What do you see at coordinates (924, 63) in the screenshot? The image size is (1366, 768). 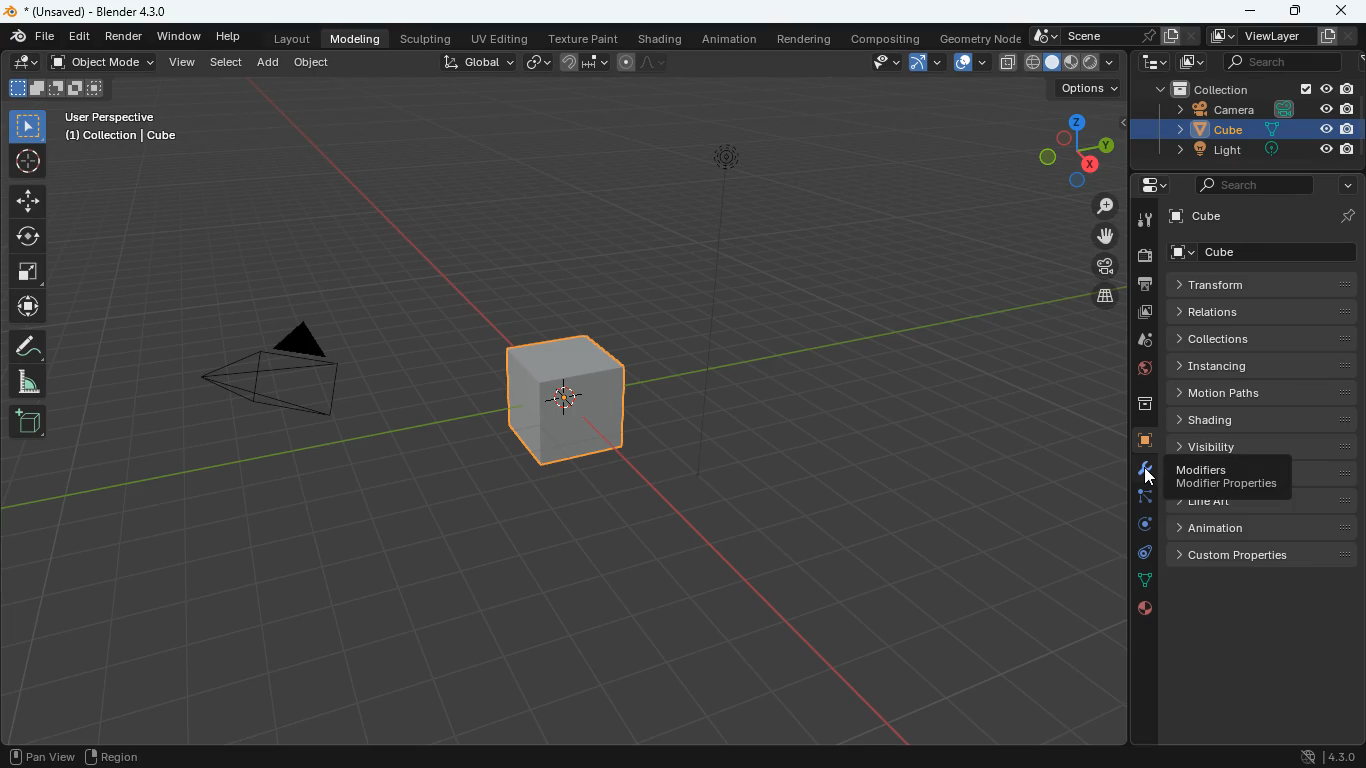 I see `arrow` at bounding box center [924, 63].